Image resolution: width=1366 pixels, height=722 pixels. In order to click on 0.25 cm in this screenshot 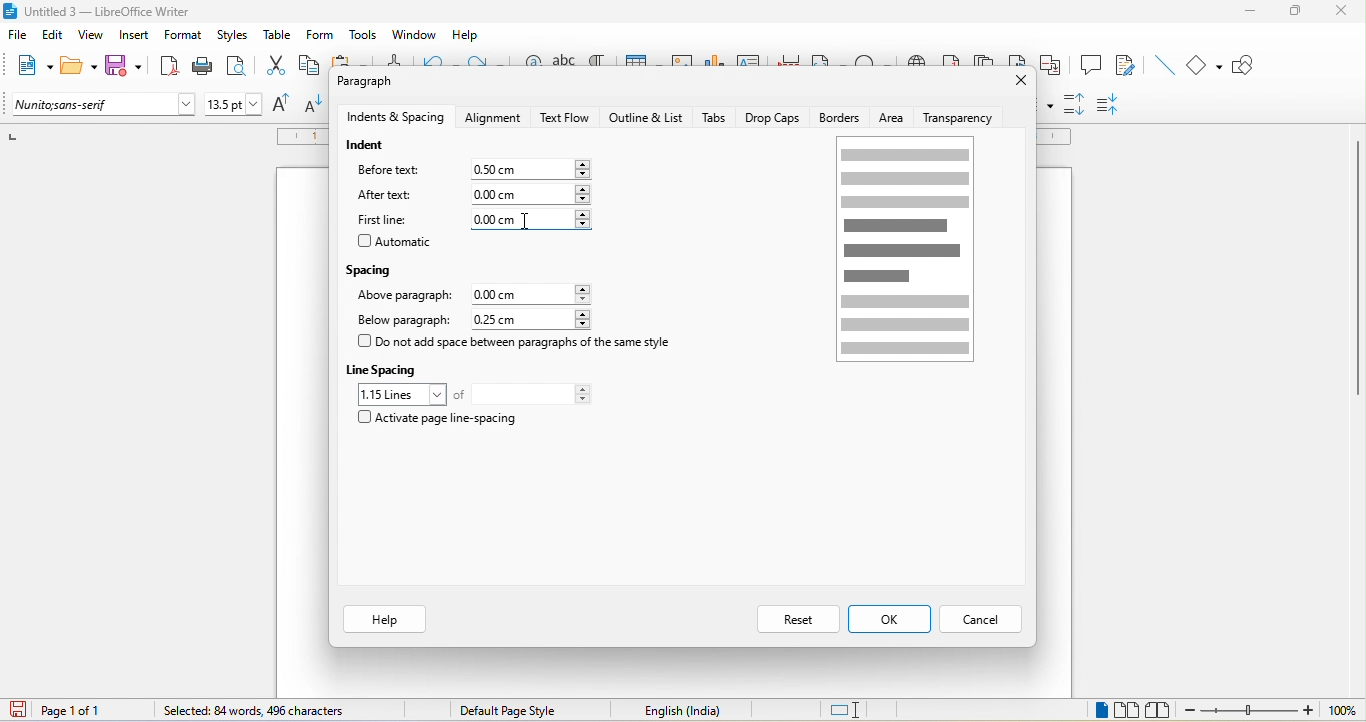, I will do `click(517, 320)`.